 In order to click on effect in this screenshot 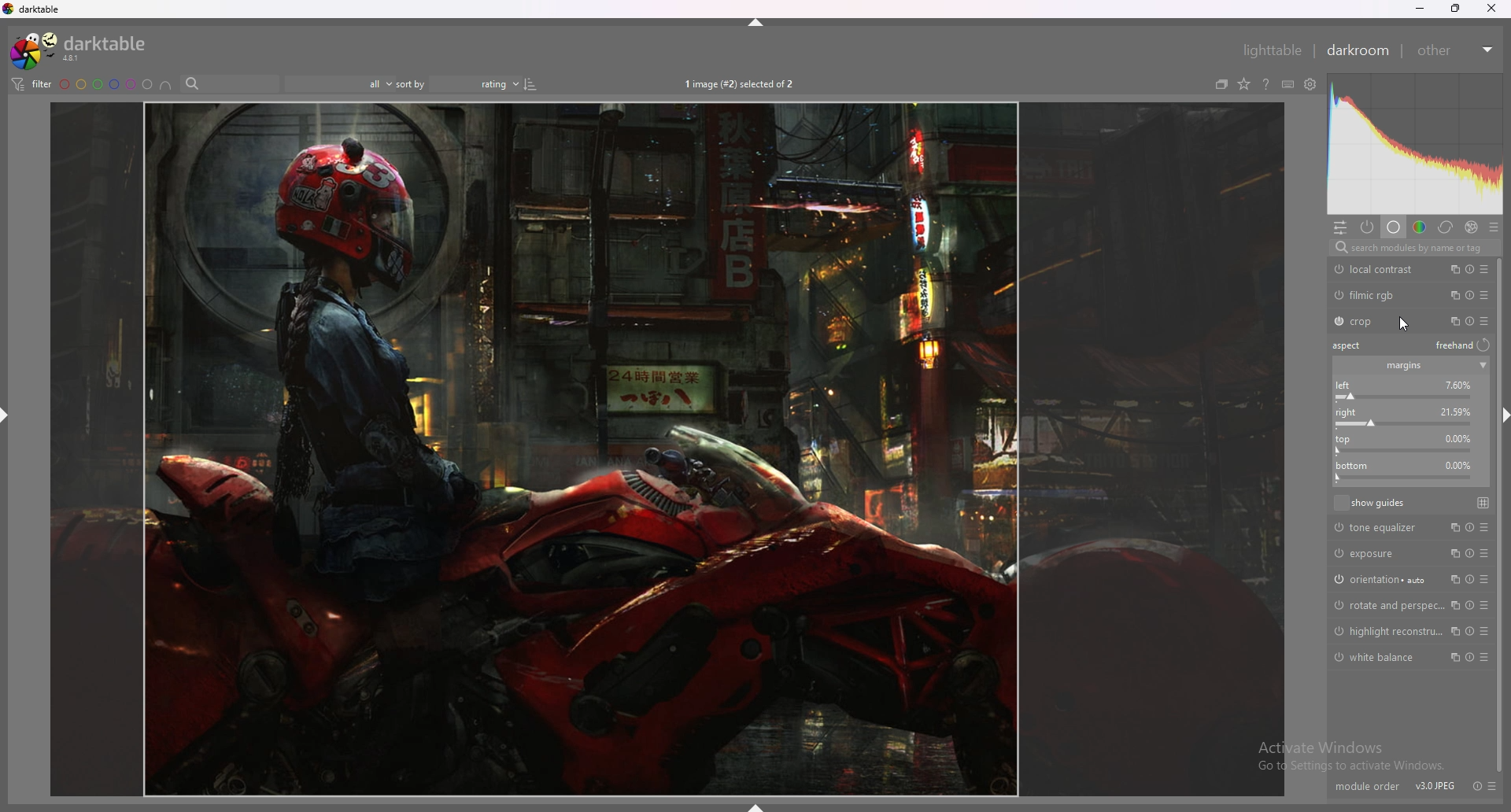, I will do `click(1472, 227)`.